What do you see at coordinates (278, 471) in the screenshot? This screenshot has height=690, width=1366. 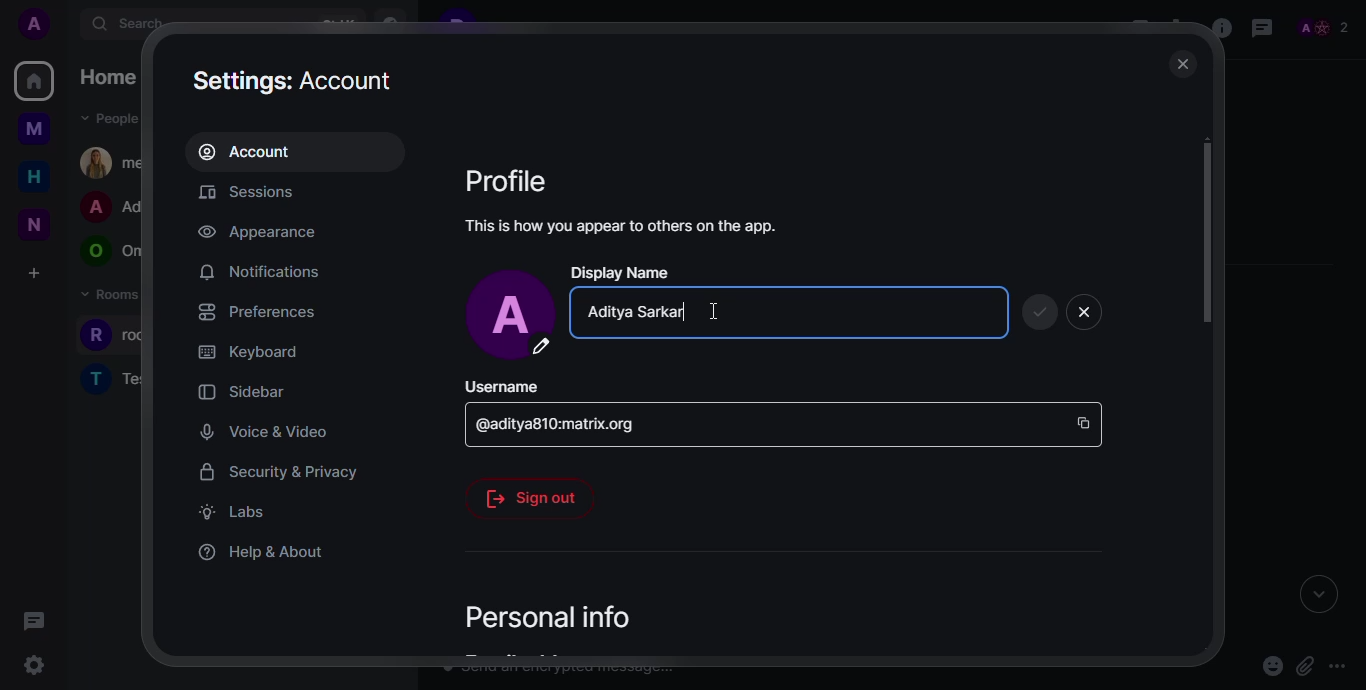 I see `security` at bounding box center [278, 471].